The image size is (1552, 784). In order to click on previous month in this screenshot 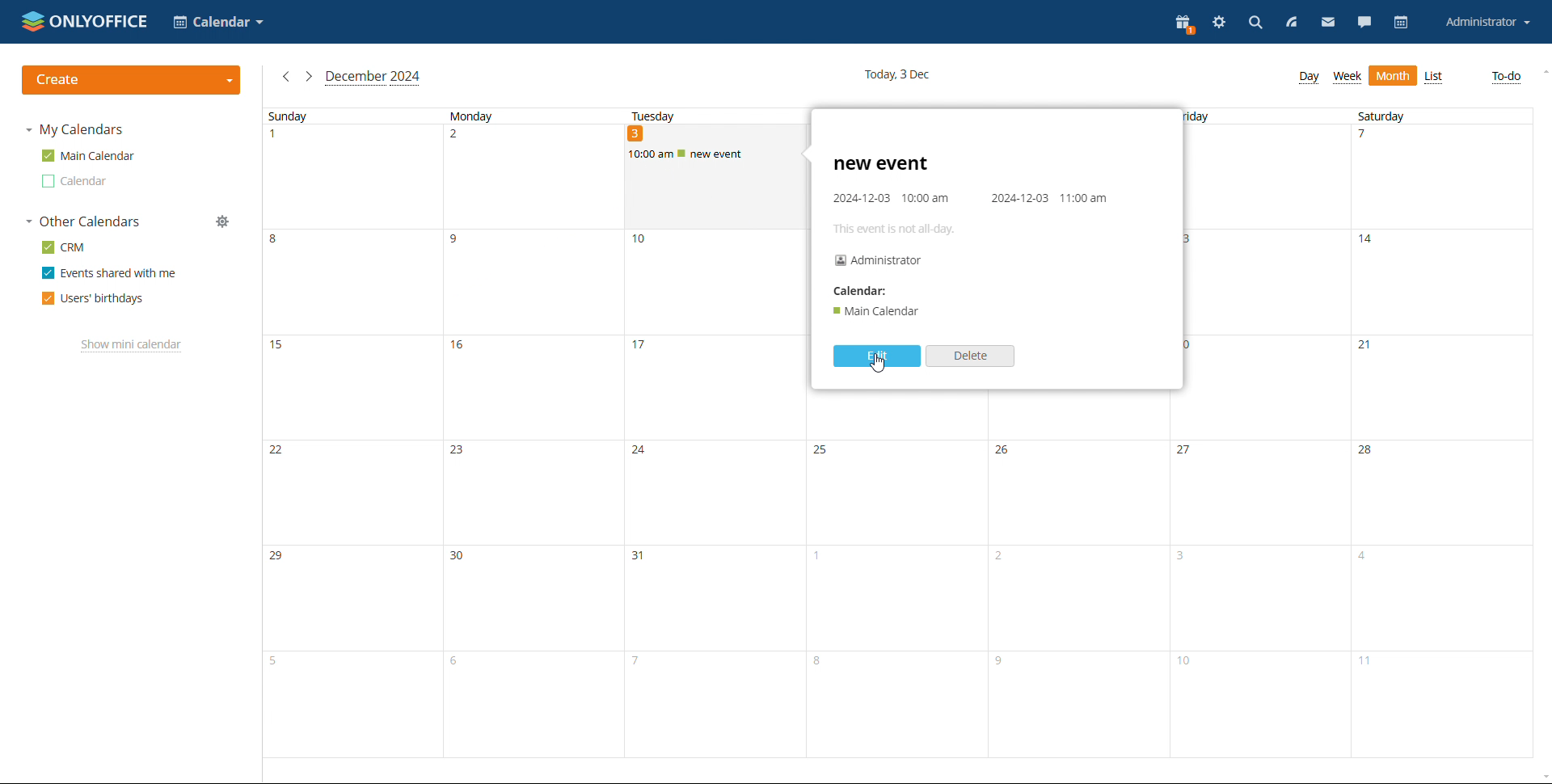, I will do `click(285, 77)`.